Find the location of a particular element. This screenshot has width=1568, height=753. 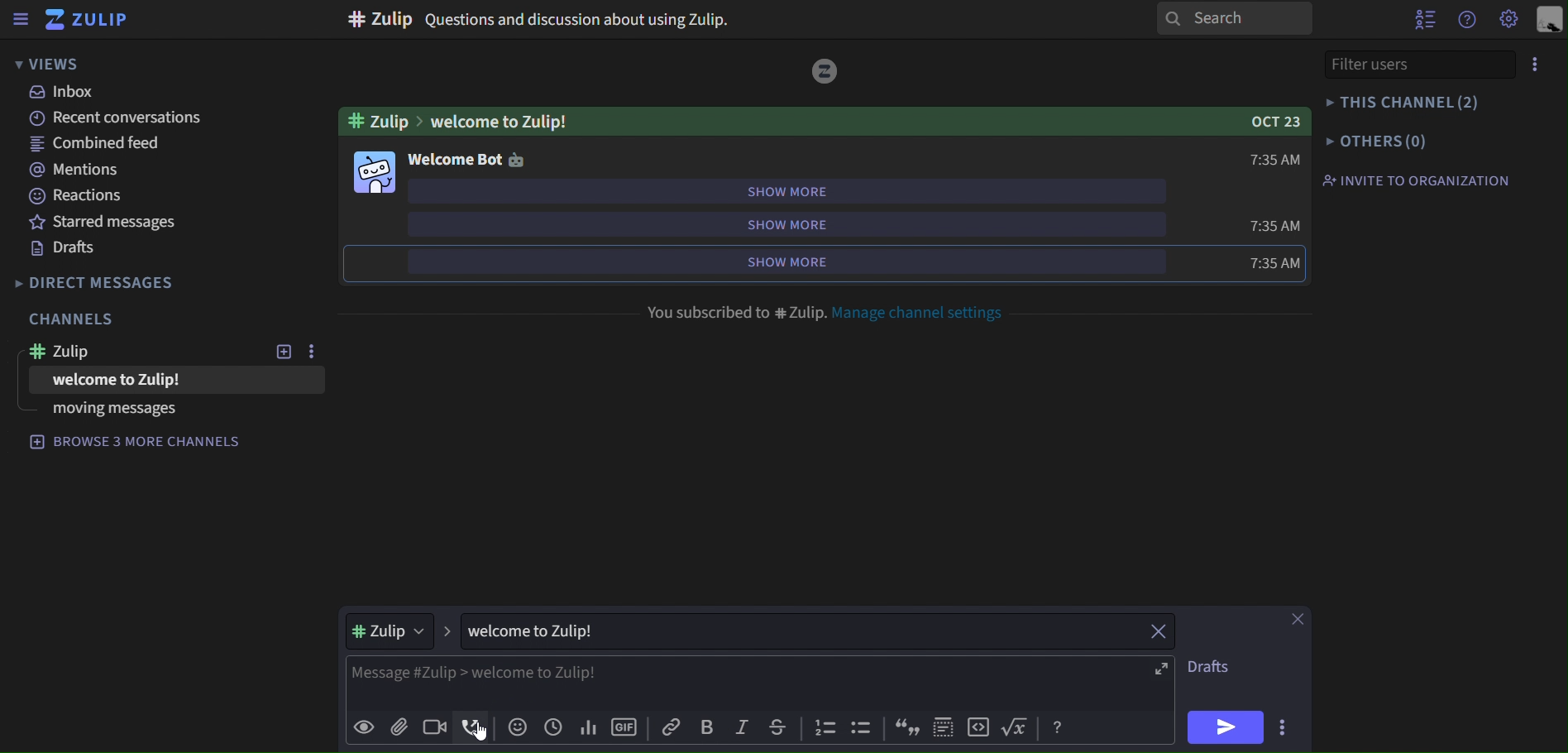

add emoji is located at coordinates (518, 727).